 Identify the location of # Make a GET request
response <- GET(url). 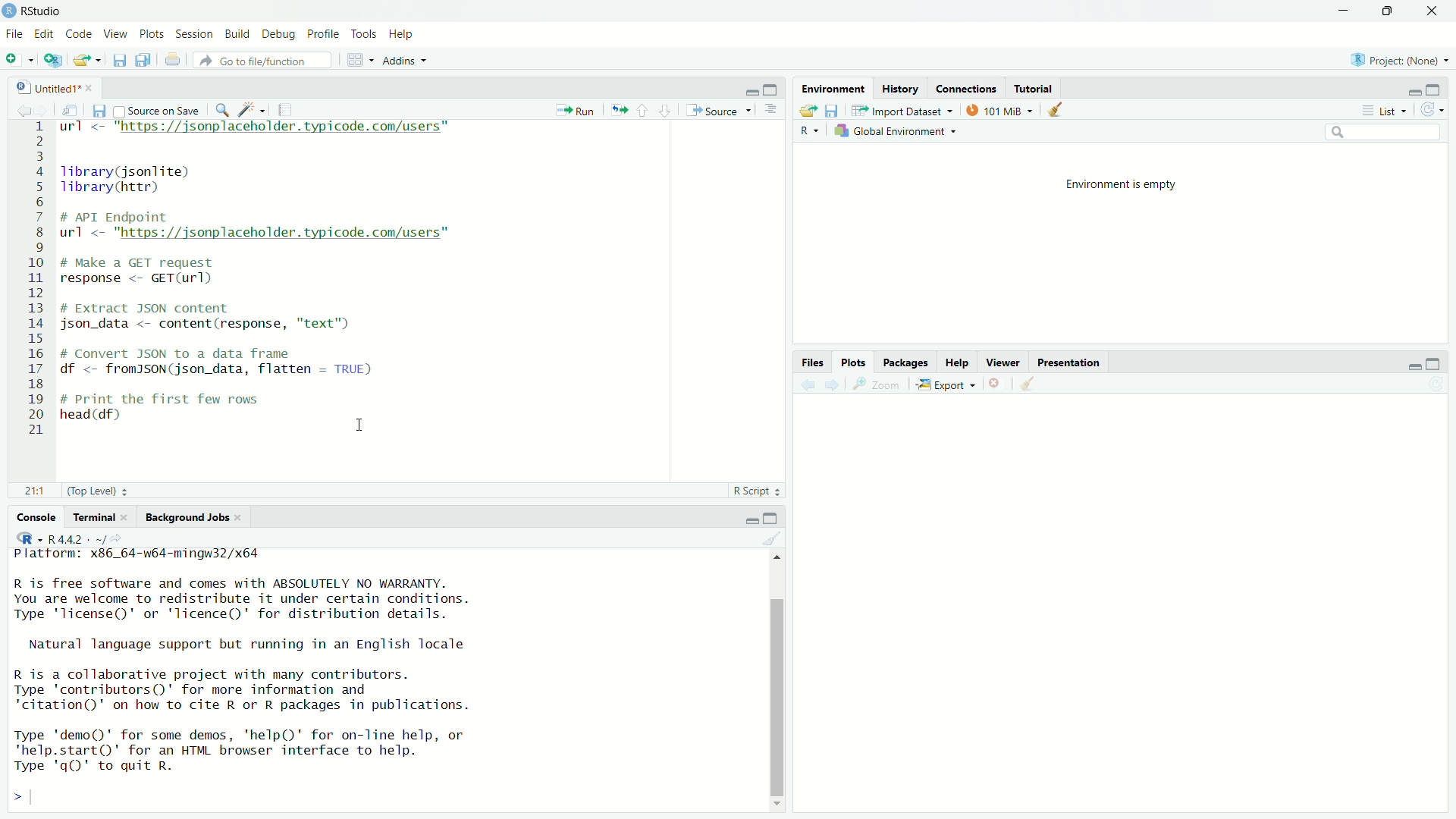
(146, 273).